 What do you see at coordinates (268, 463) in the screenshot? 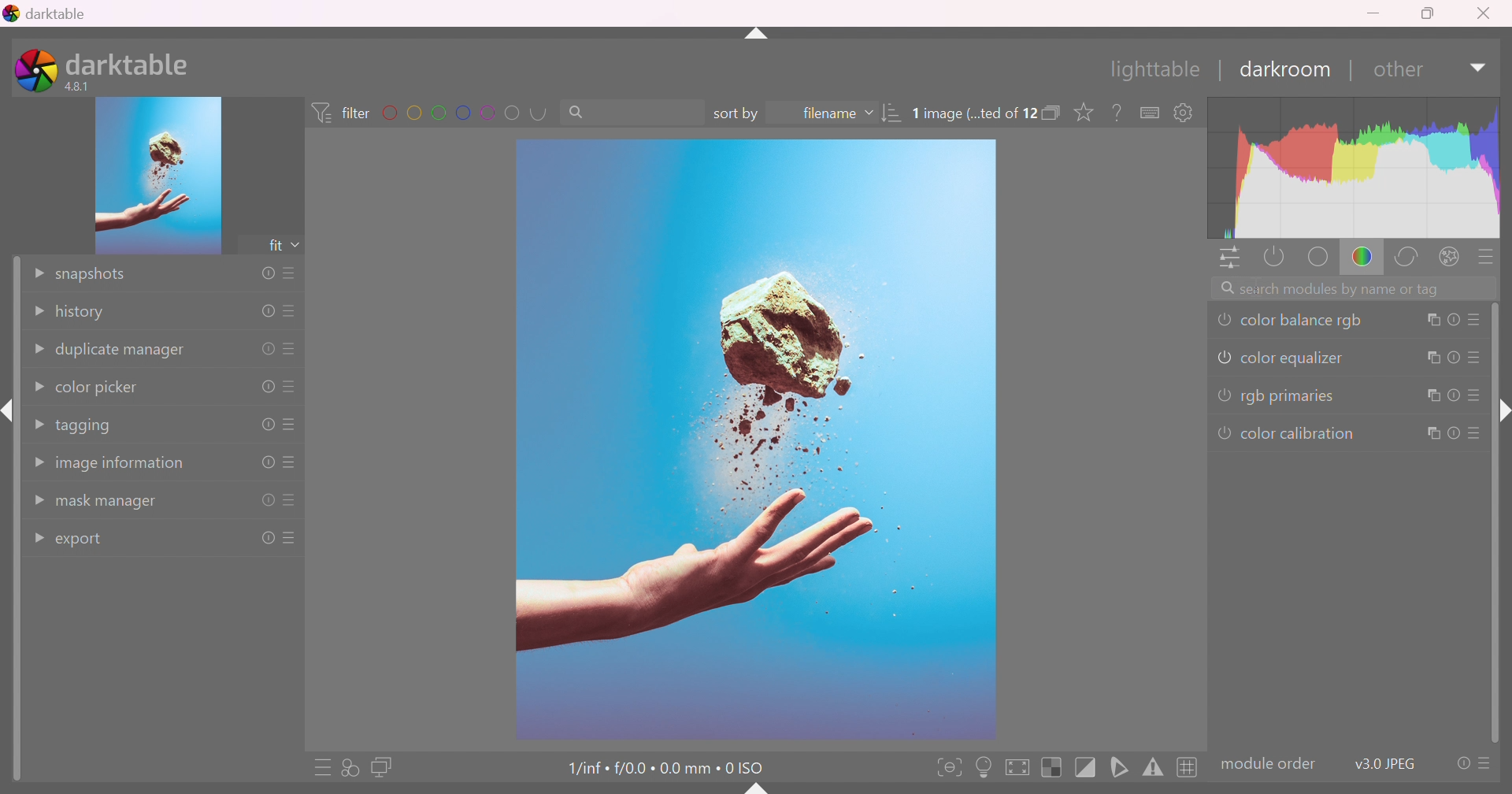
I see `reset` at bounding box center [268, 463].